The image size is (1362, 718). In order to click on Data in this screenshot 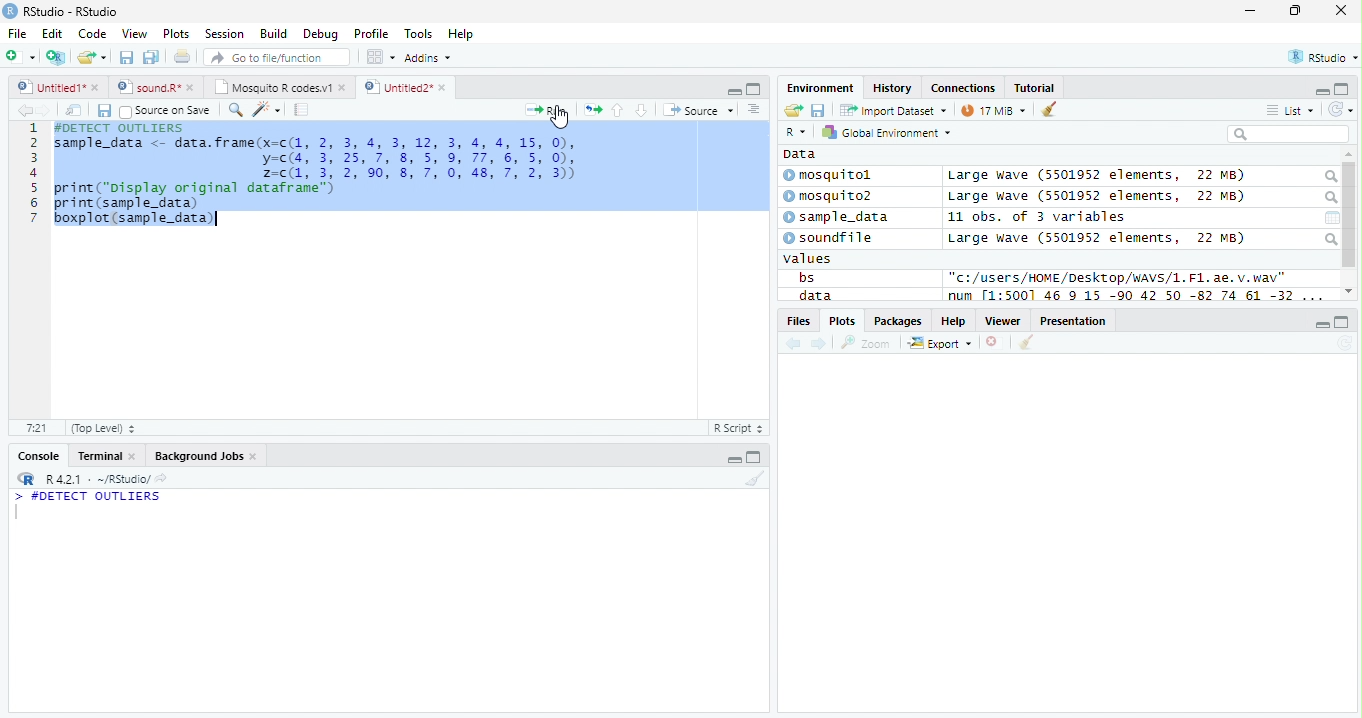, I will do `click(800, 154)`.